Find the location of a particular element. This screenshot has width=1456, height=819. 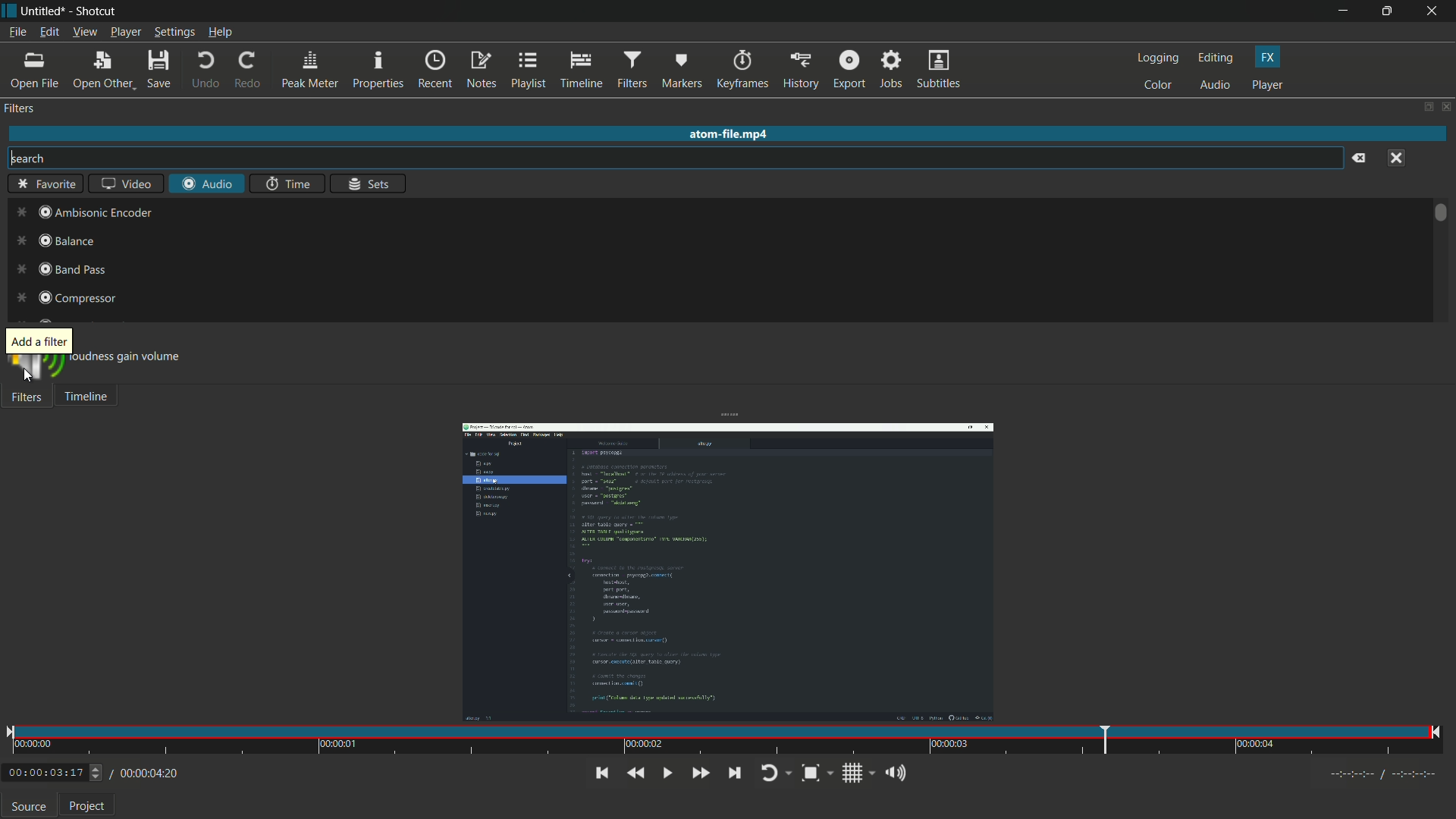

toggle play or pause is located at coordinates (667, 773).